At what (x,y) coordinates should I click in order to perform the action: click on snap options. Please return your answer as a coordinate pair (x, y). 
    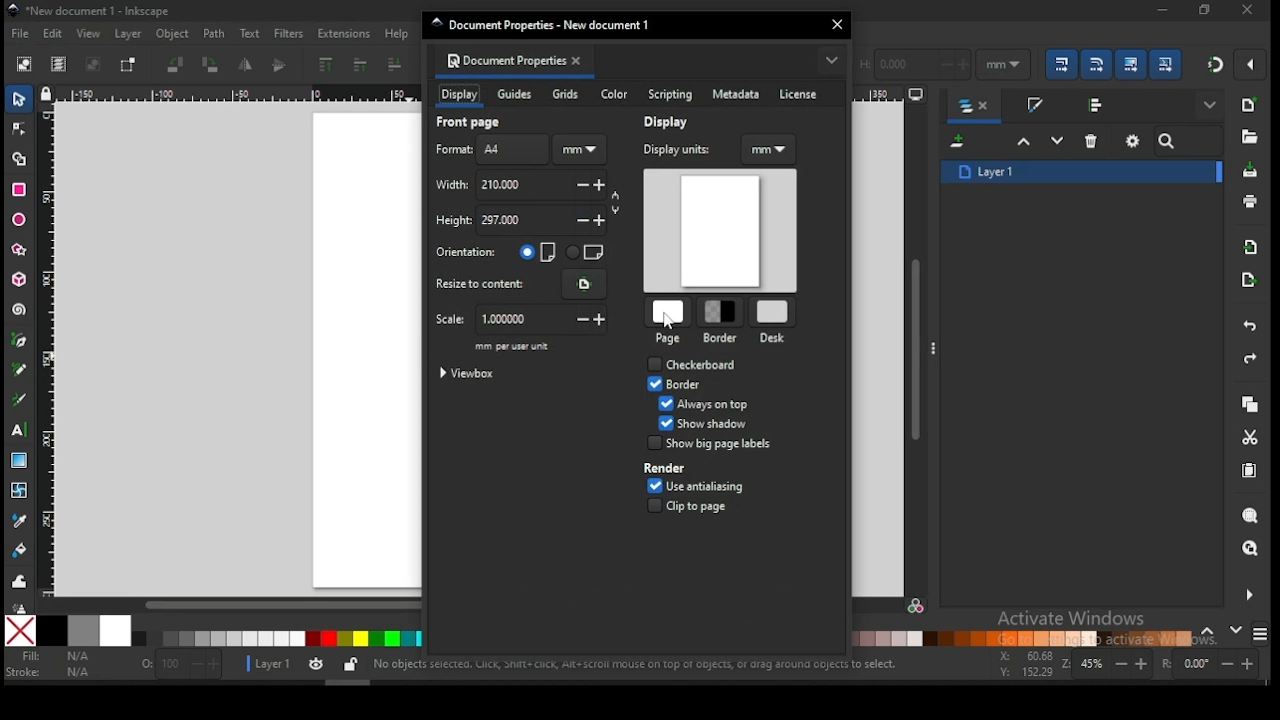
    Looking at the image, I should click on (1252, 64).